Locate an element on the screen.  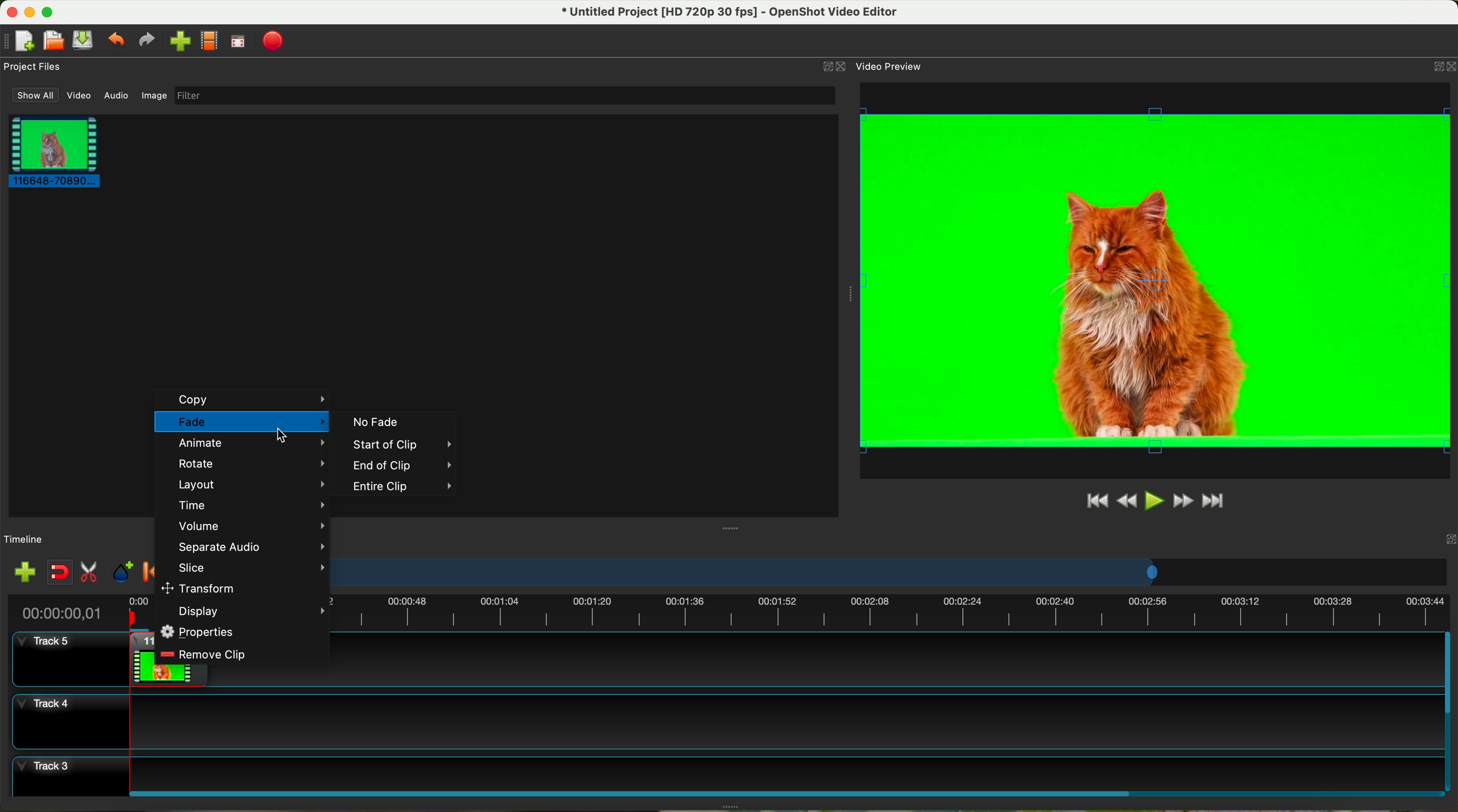
file name is located at coordinates (731, 12).